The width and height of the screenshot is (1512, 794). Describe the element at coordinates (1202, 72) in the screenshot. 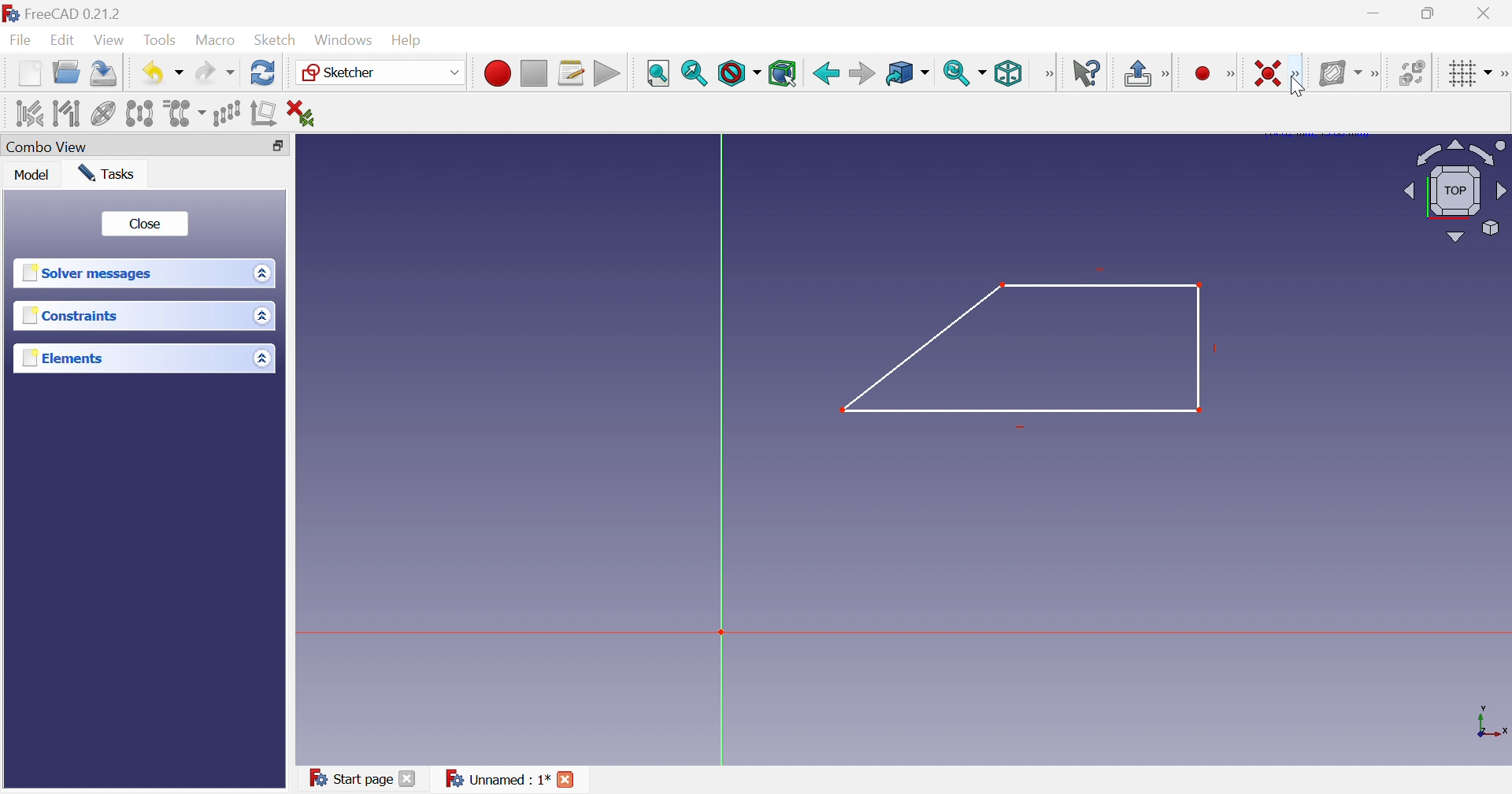

I see `Create point` at that location.